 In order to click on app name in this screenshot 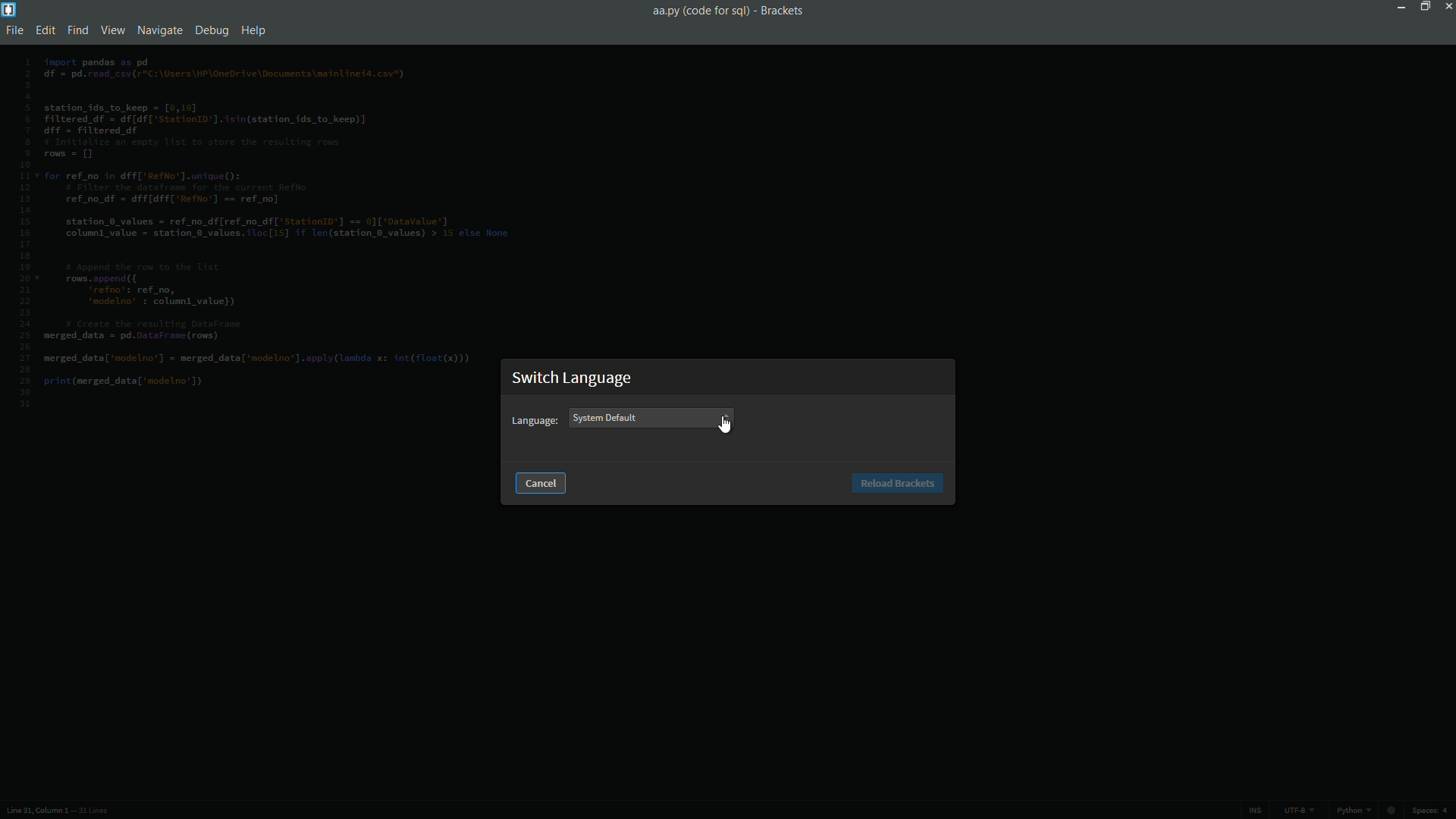, I will do `click(782, 10)`.